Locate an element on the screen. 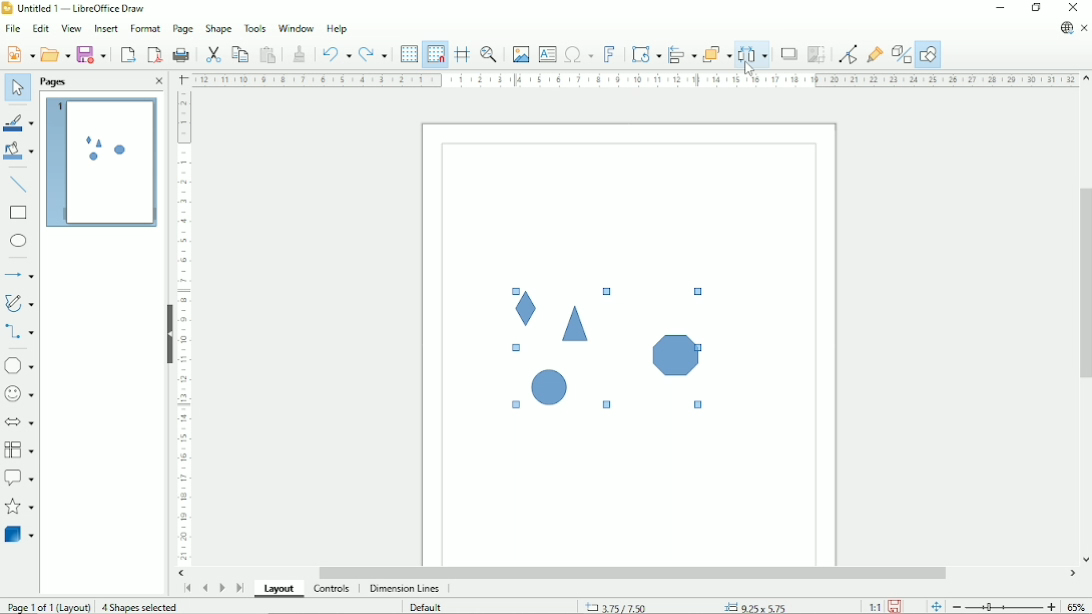 This screenshot has height=614, width=1092. Horizontal scrollbar is located at coordinates (635, 572).